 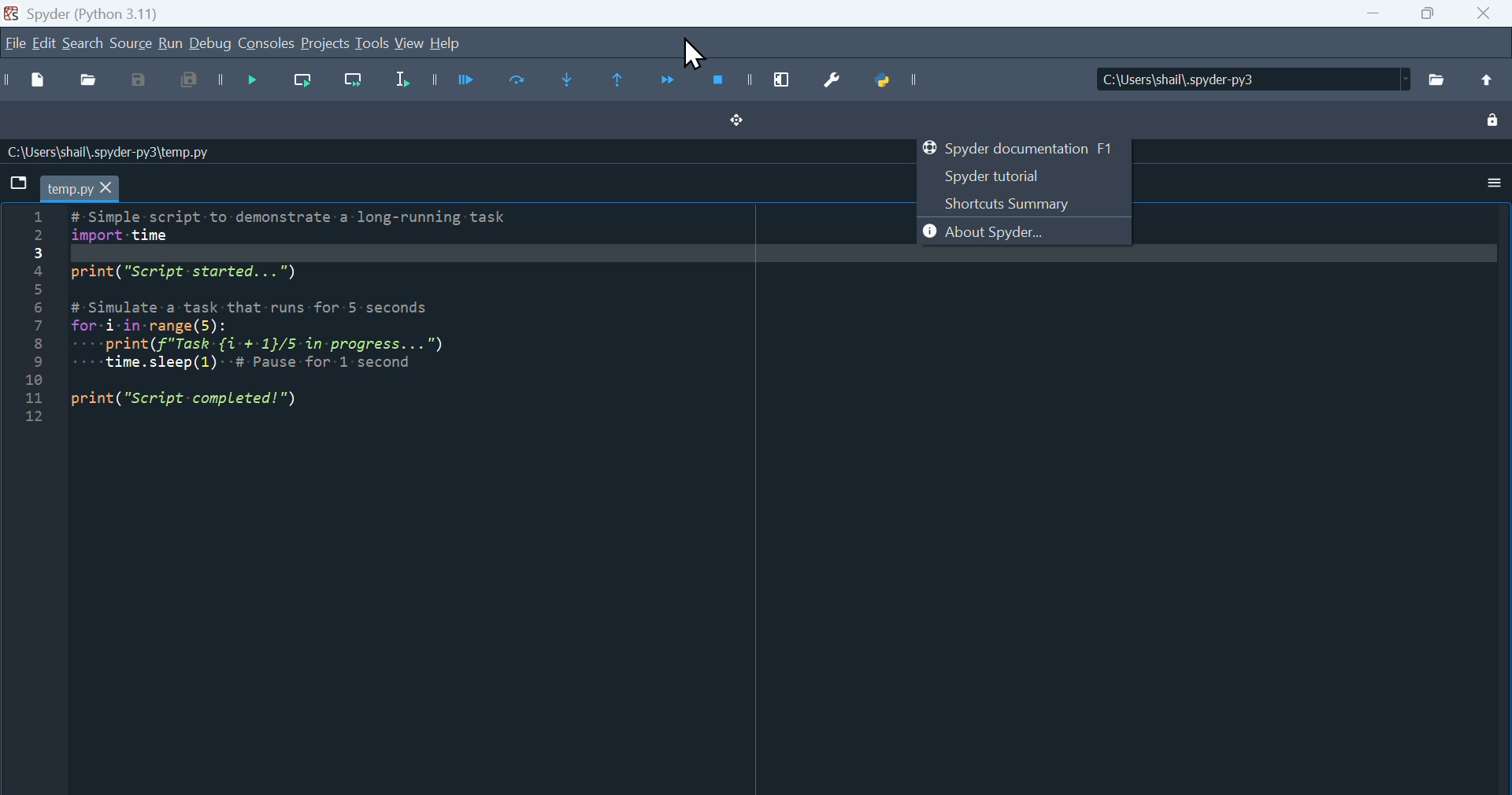 I want to click on run, so click(x=169, y=43).